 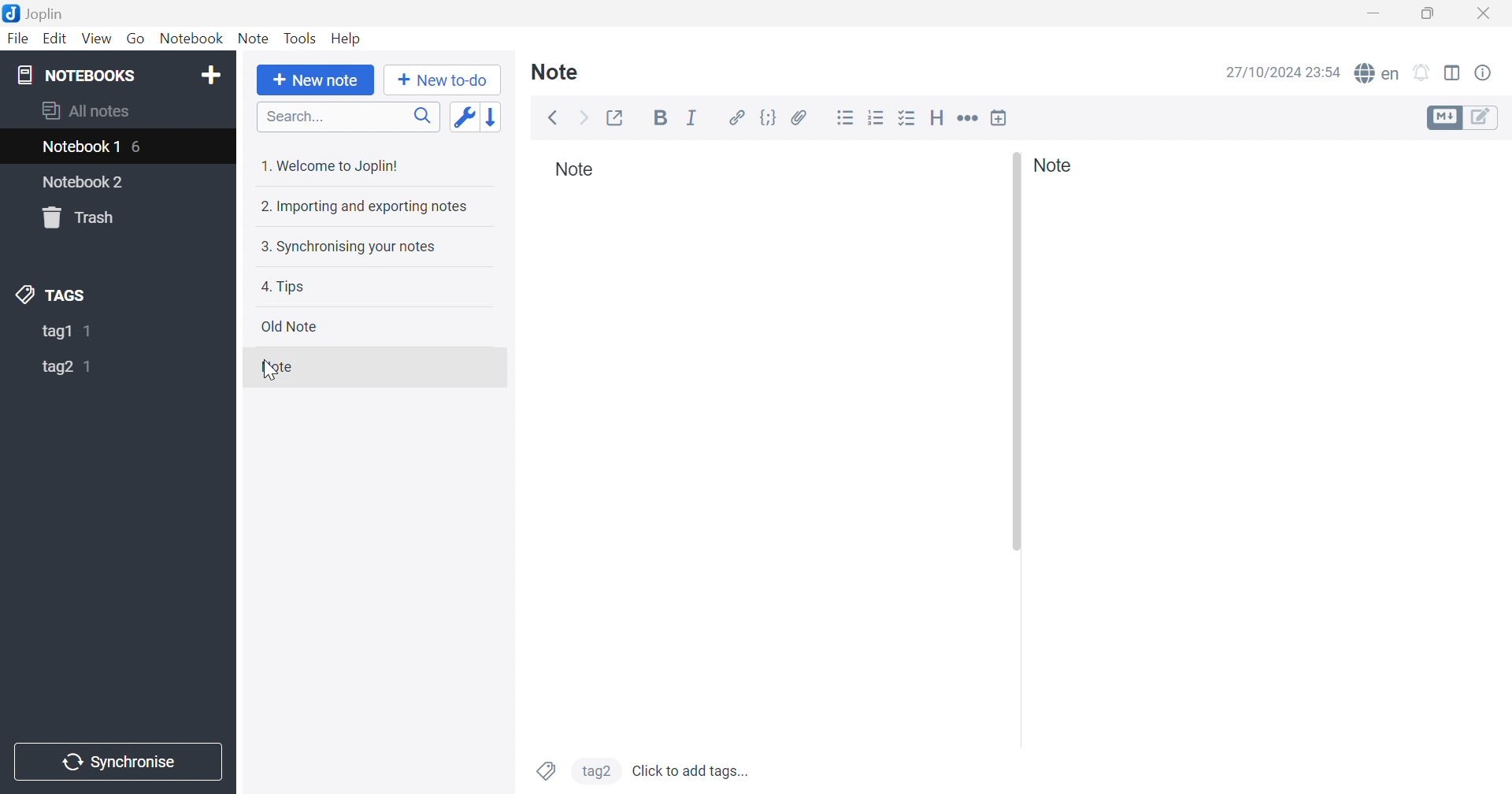 What do you see at coordinates (1015, 351) in the screenshot?
I see `` at bounding box center [1015, 351].